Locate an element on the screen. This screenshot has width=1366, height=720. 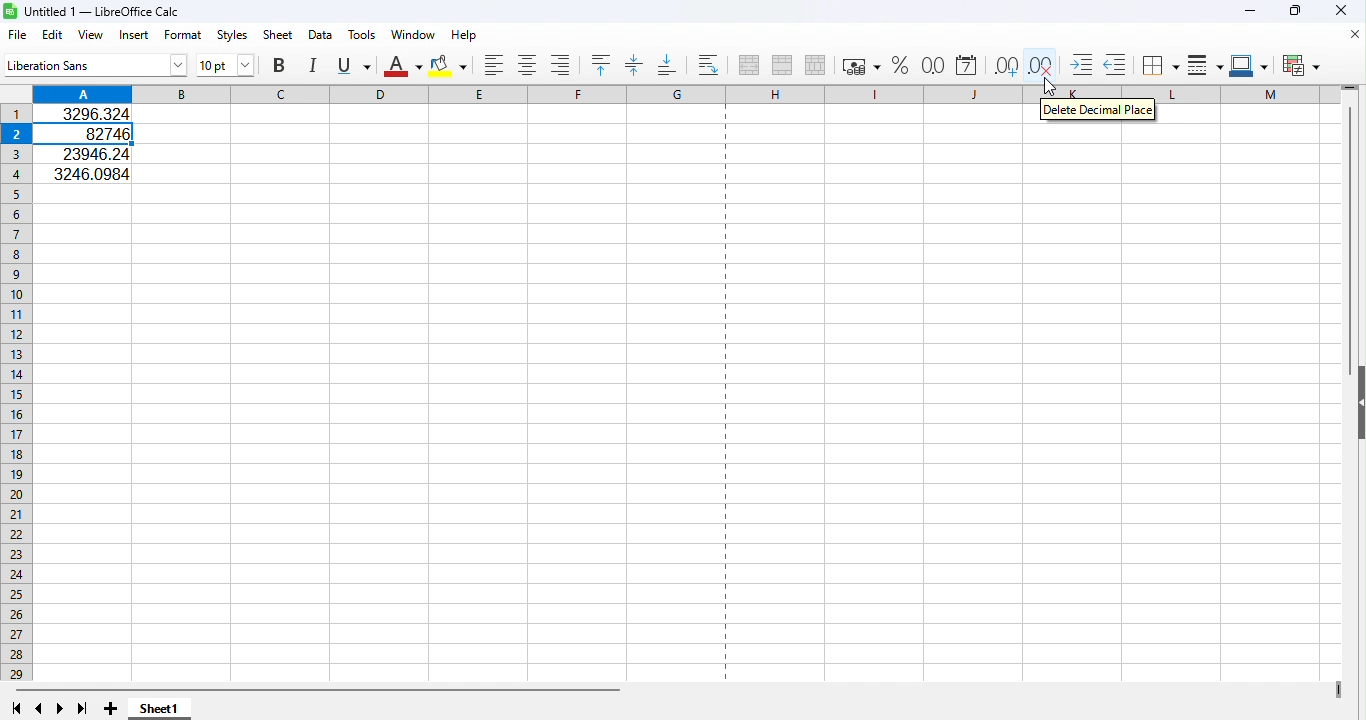
Merge and center or unmerge cells depending upon the current toggle state is located at coordinates (746, 63).